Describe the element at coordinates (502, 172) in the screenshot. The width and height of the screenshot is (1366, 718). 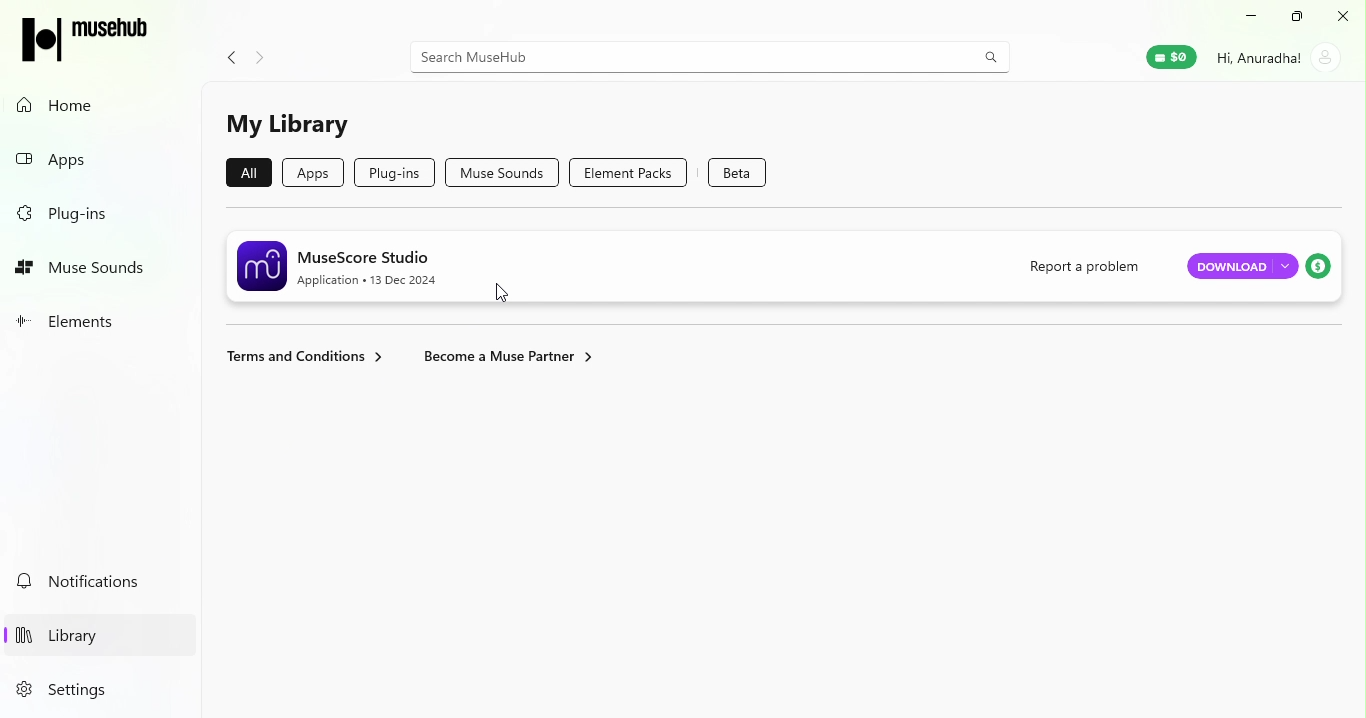
I see `Muse sounds` at that location.